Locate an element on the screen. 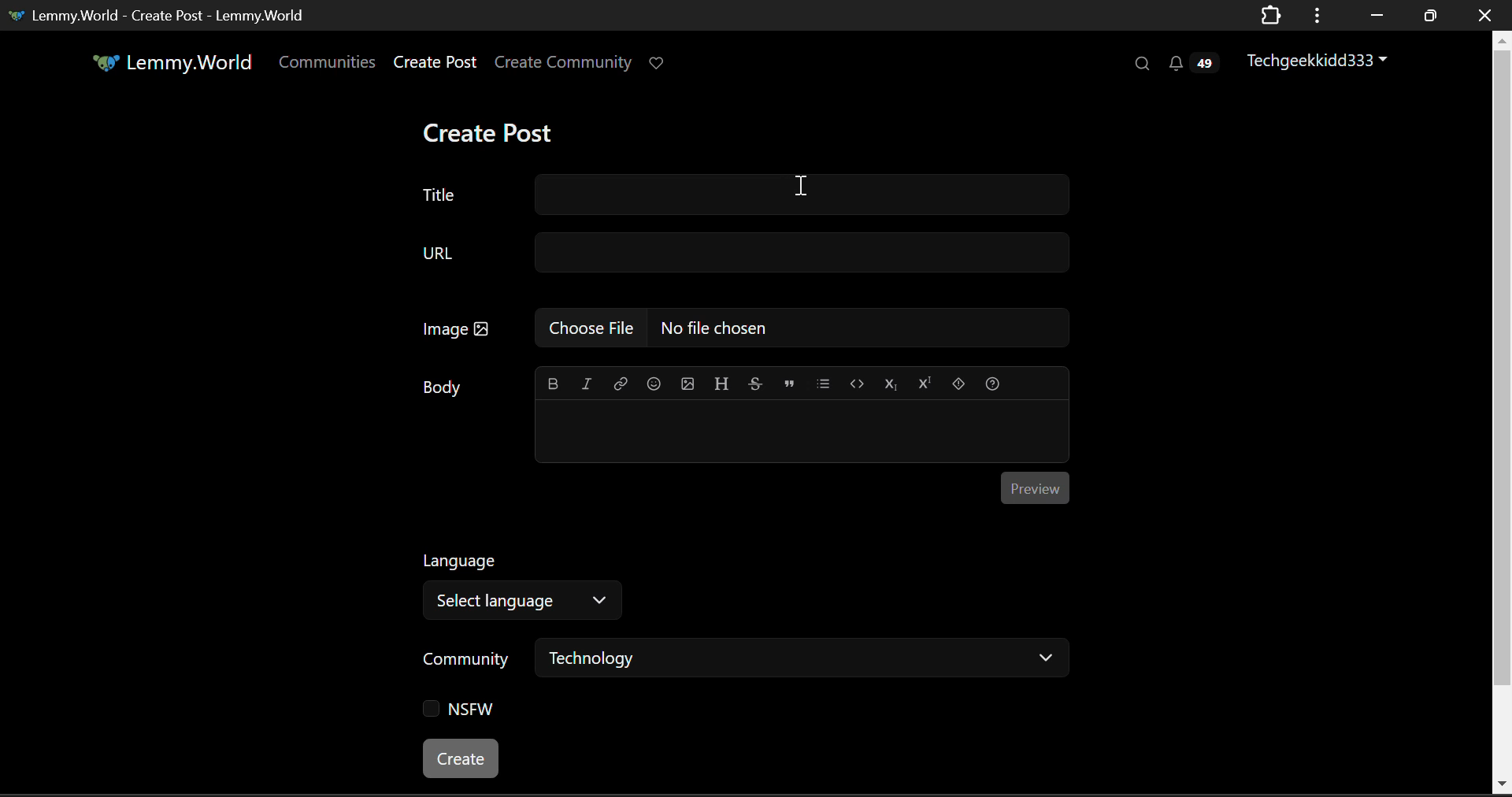  Minimize Window is located at coordinates (1428, 17).